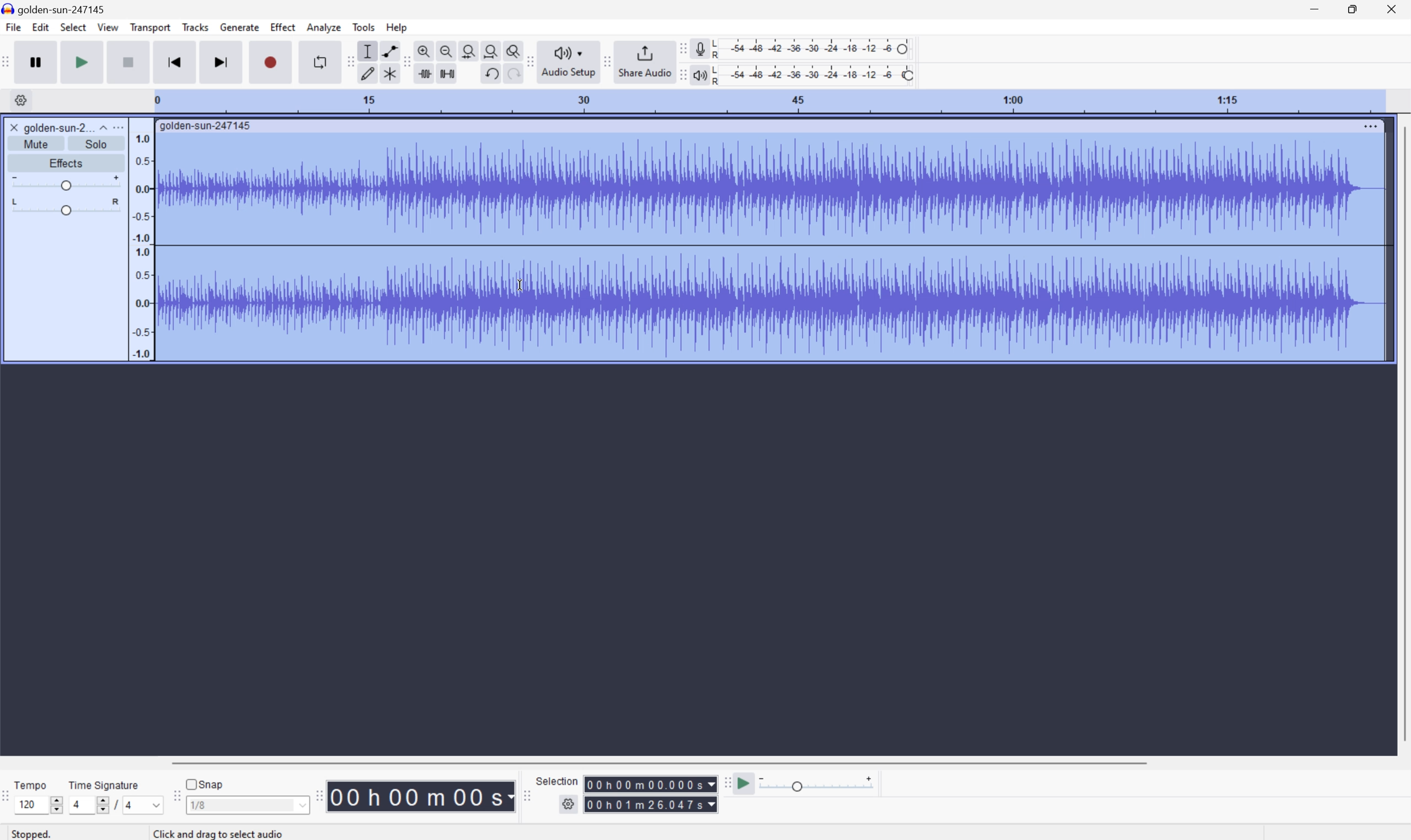  What do you see at coordinates (1402, 434) in the screenshot?
I see `Scroll Bar` at bounding box center [1402, 434].